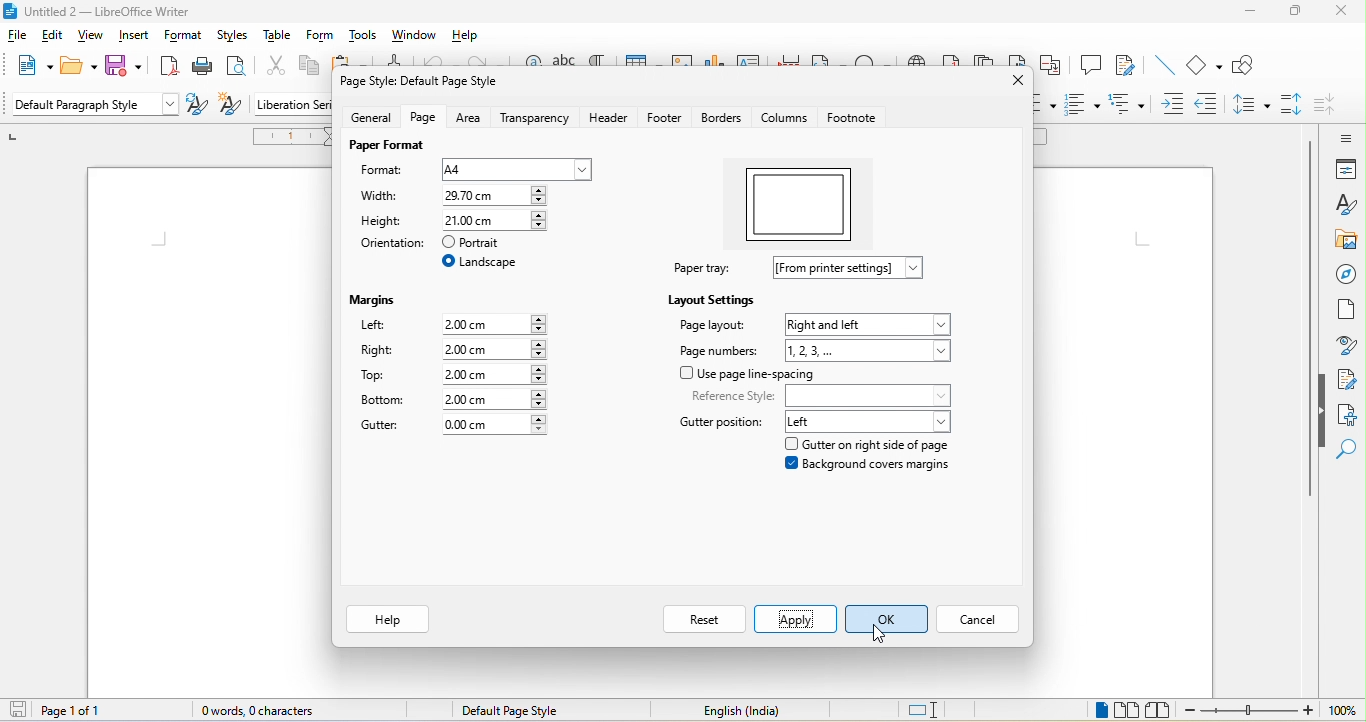 The height and width of the screenshot is (722, 1366). Describe the element at coordinates (850, 267) in the screenshot. I see `from printer settings` at that location.